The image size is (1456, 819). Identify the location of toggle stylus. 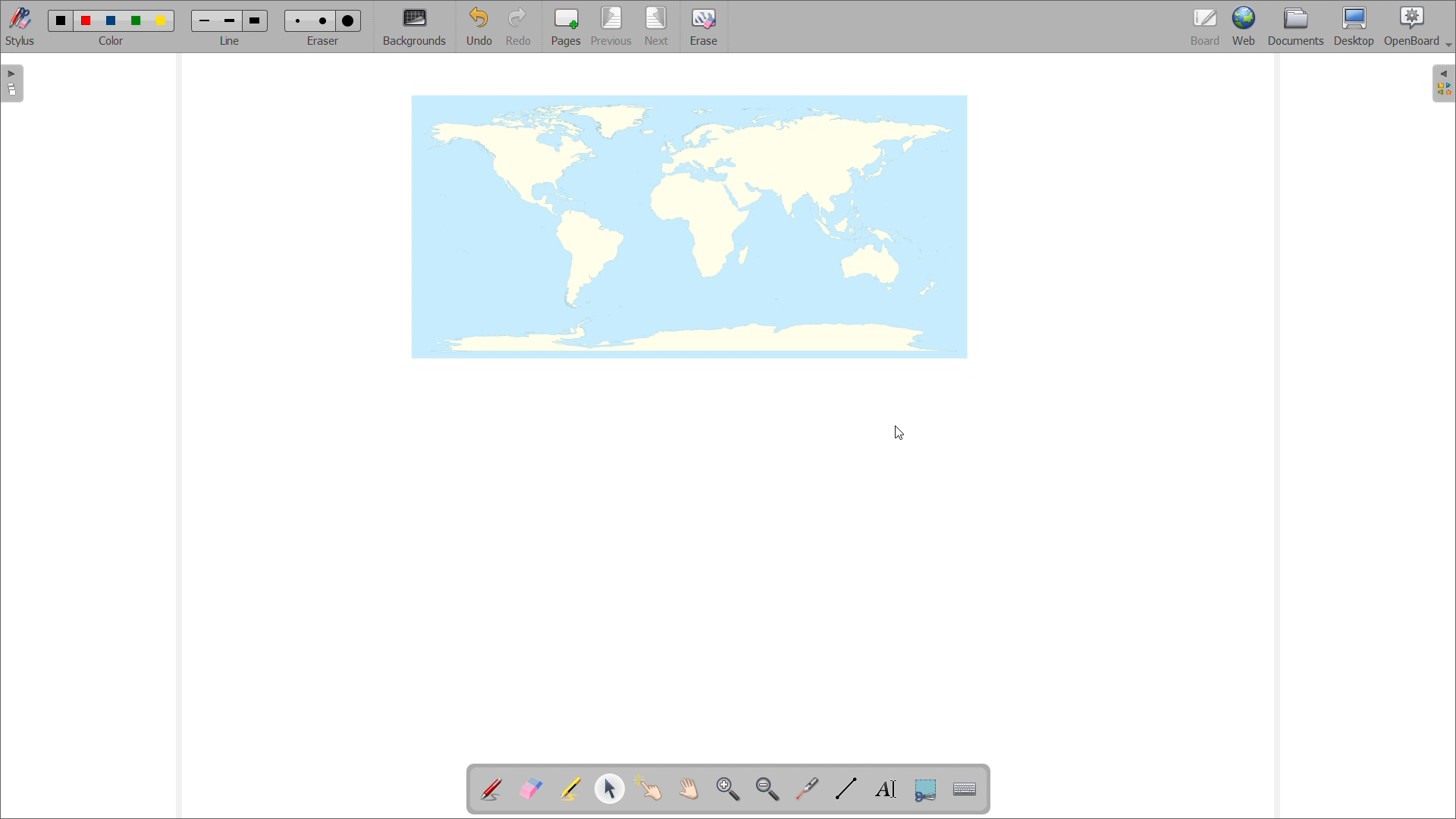
(20, 27).